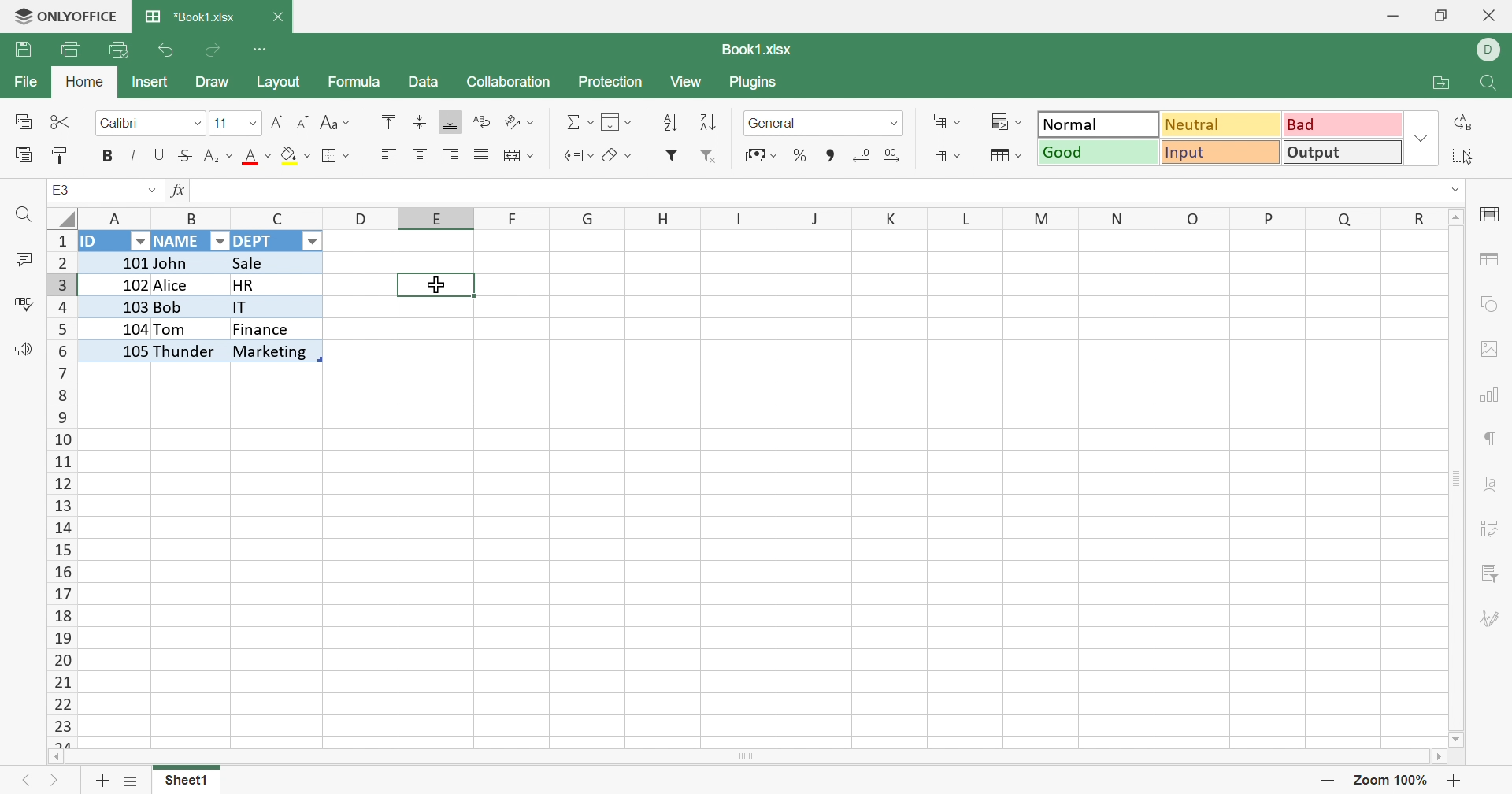 Image resolution: width=1512 pixels, height=794 pixels. Describe the element at coordinates (516, 154) in the screenshot. I see `Merge and center` at that location.